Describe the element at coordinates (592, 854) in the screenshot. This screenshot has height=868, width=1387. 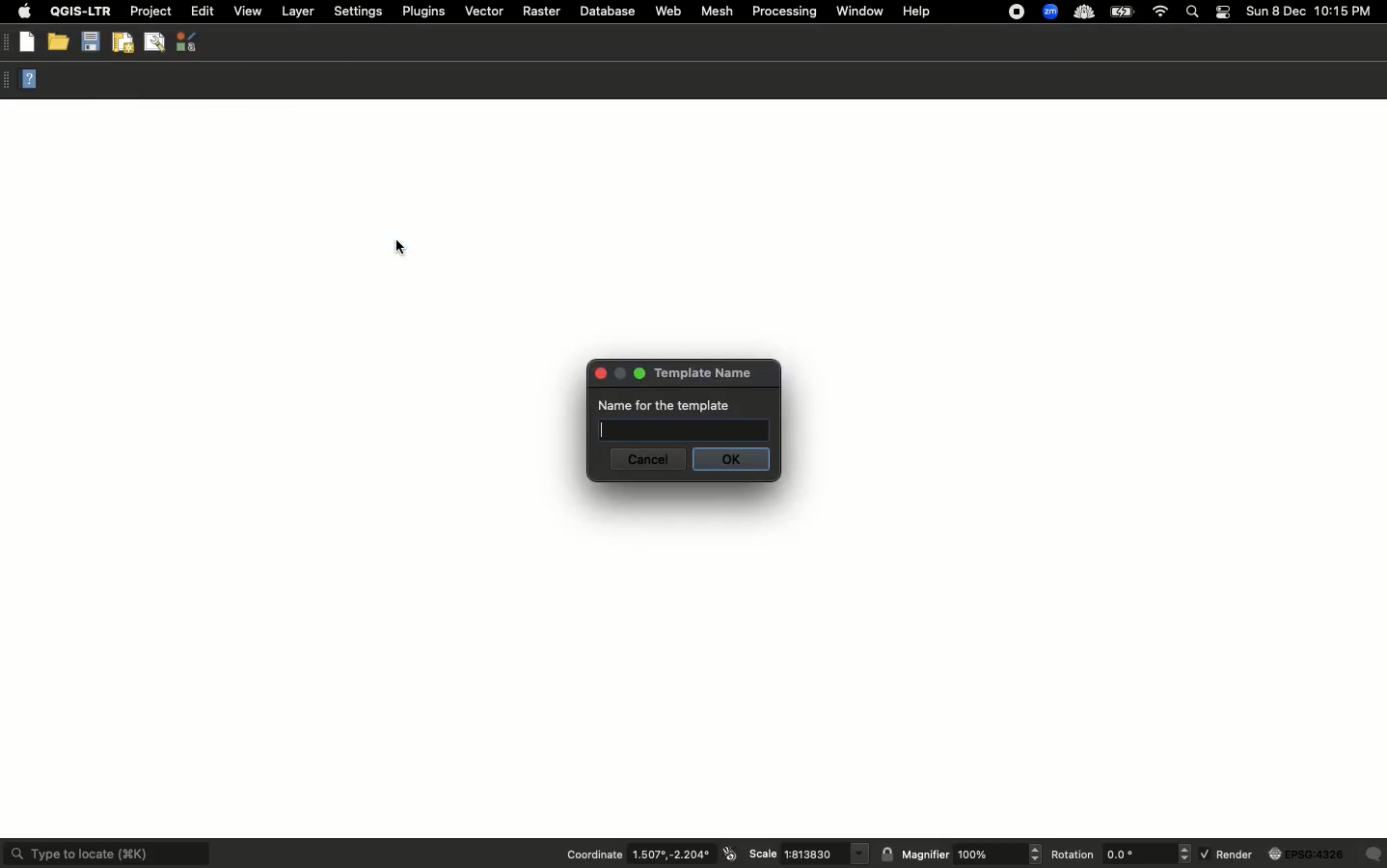
I see `Coordination` at that location.